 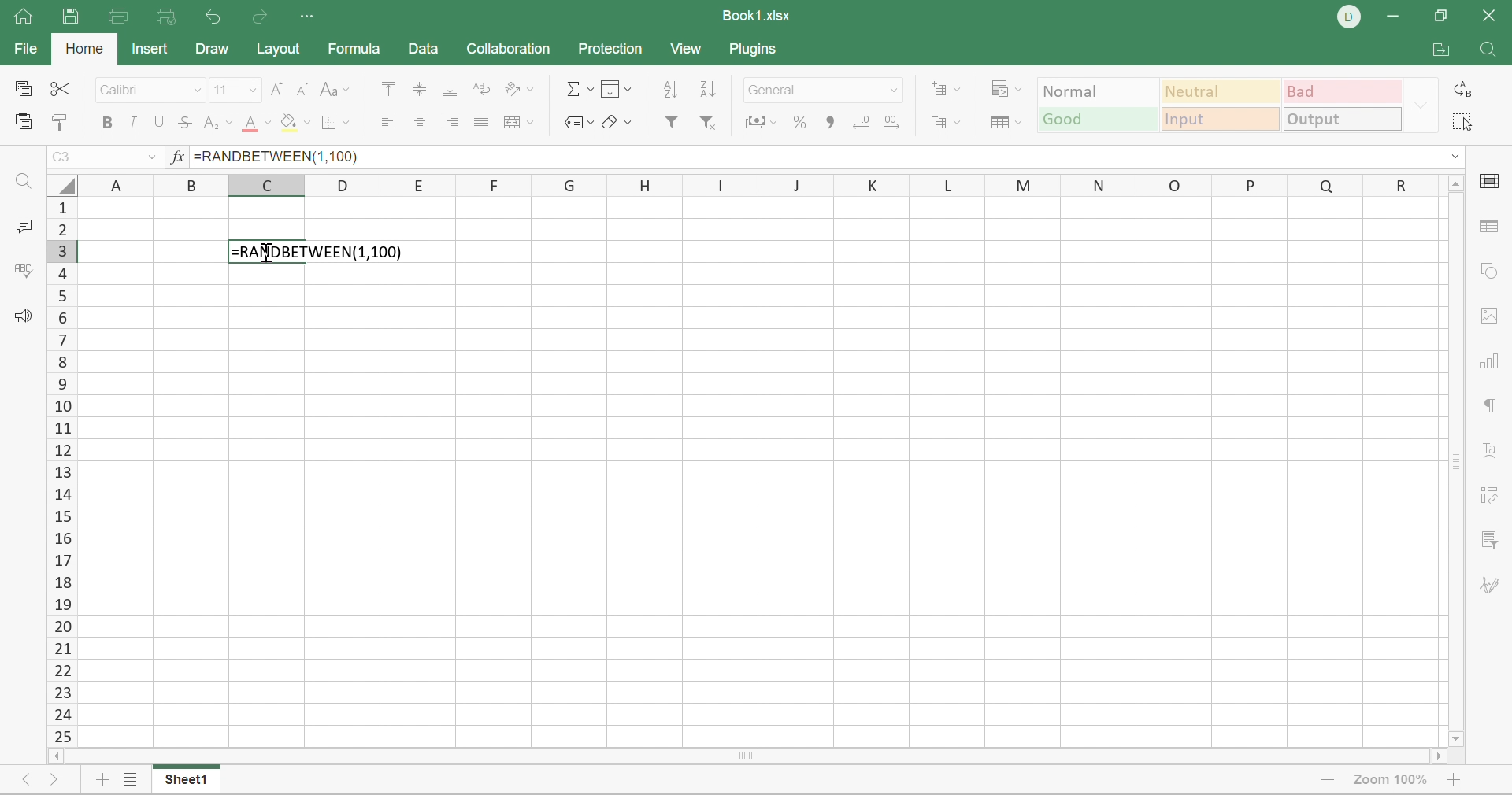 What do you see at coordinates (385, 122) in the screenshot?
I see `Align Left` at bounding box center [385, 122].